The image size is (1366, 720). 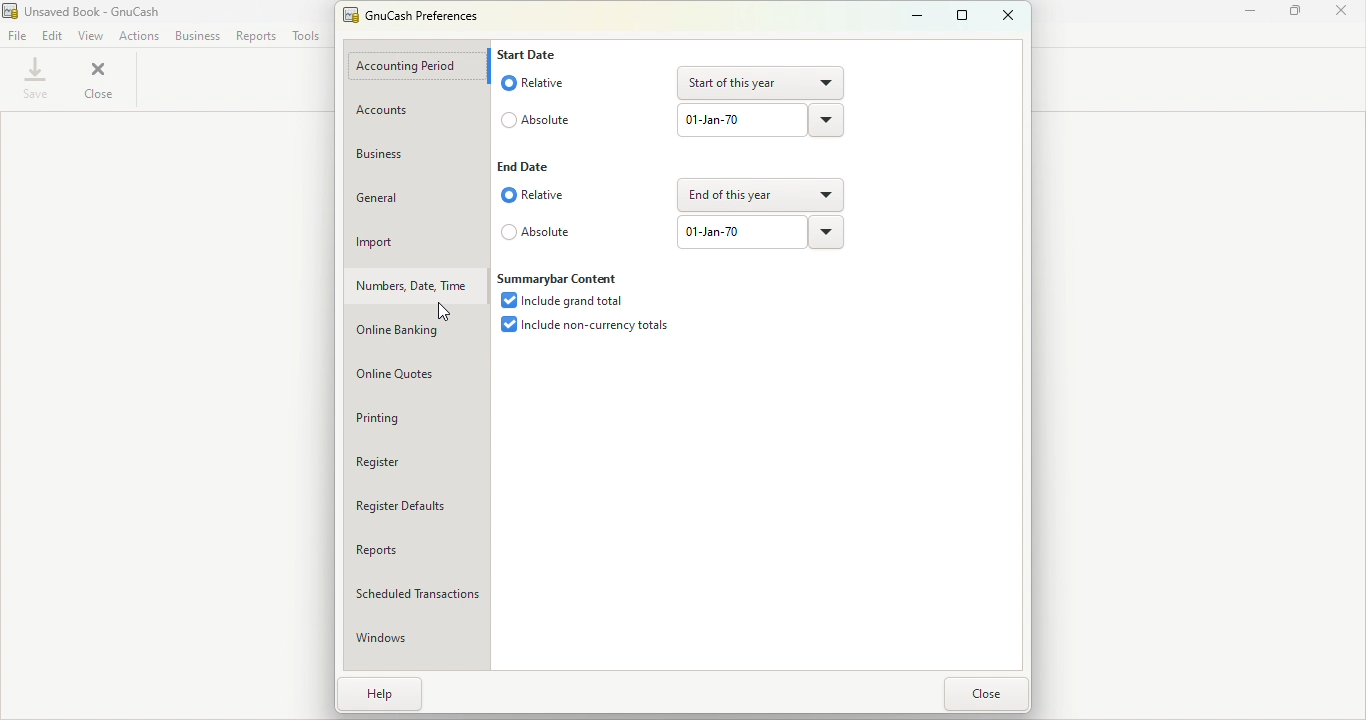 What do you see at coordinates (15, 35) in the screenshot?
I see `File` at bounding box center [15, 35].